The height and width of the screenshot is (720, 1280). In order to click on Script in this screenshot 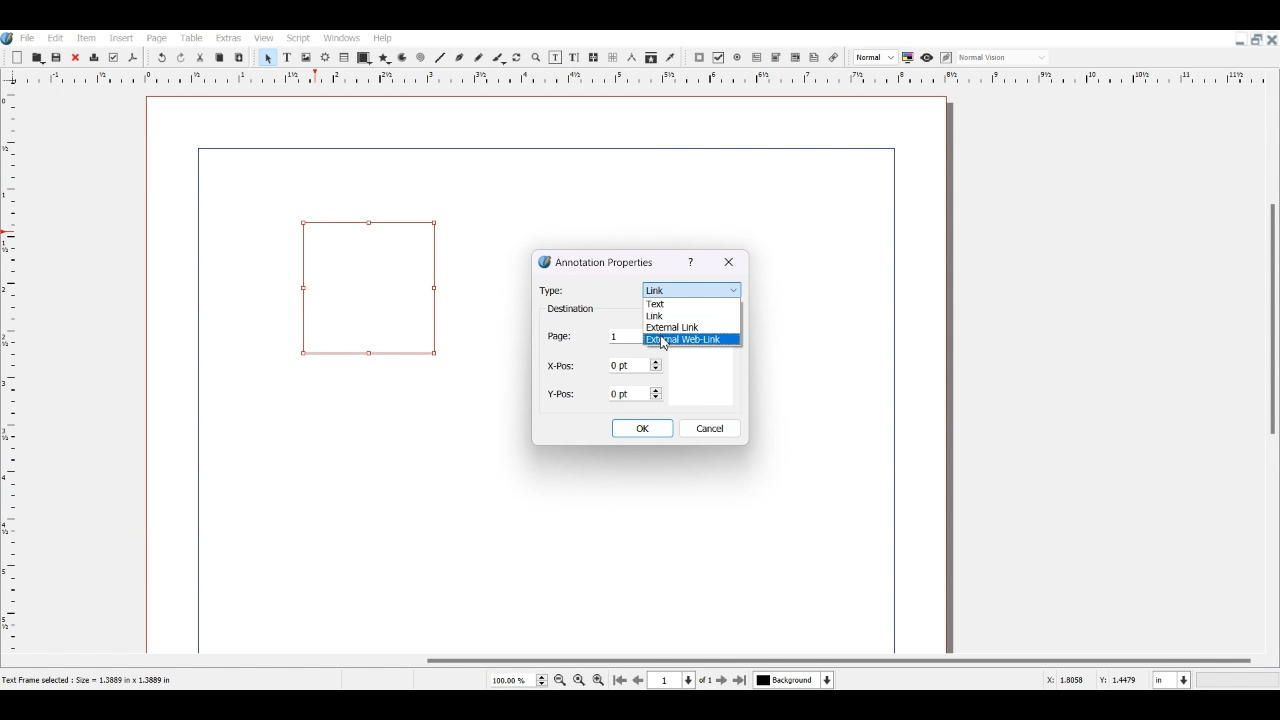, I will do `click(300, 37)`.